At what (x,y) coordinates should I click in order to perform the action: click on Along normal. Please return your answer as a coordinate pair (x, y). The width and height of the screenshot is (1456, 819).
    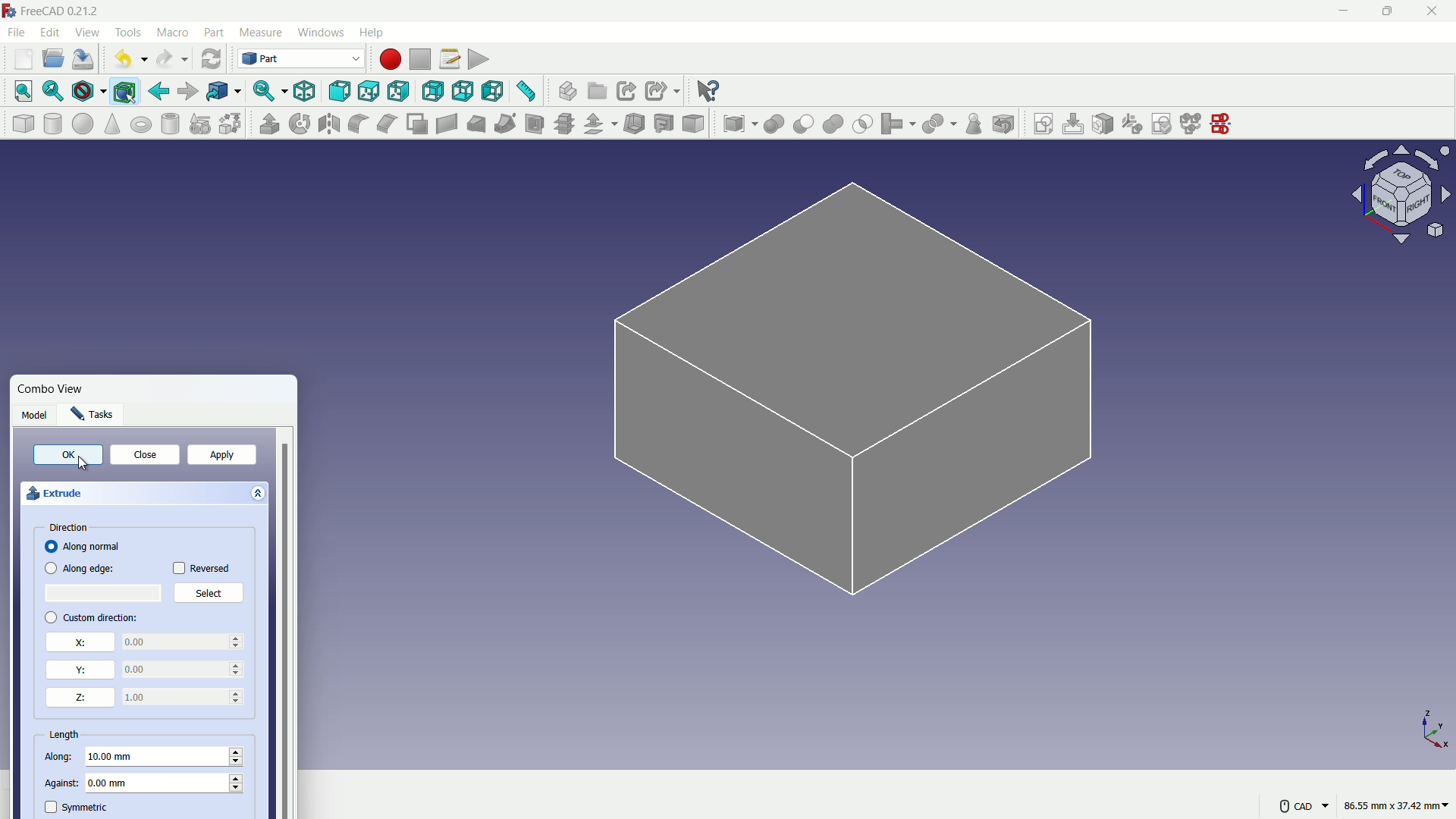
    Looking at the image, I should click on (98, 548).